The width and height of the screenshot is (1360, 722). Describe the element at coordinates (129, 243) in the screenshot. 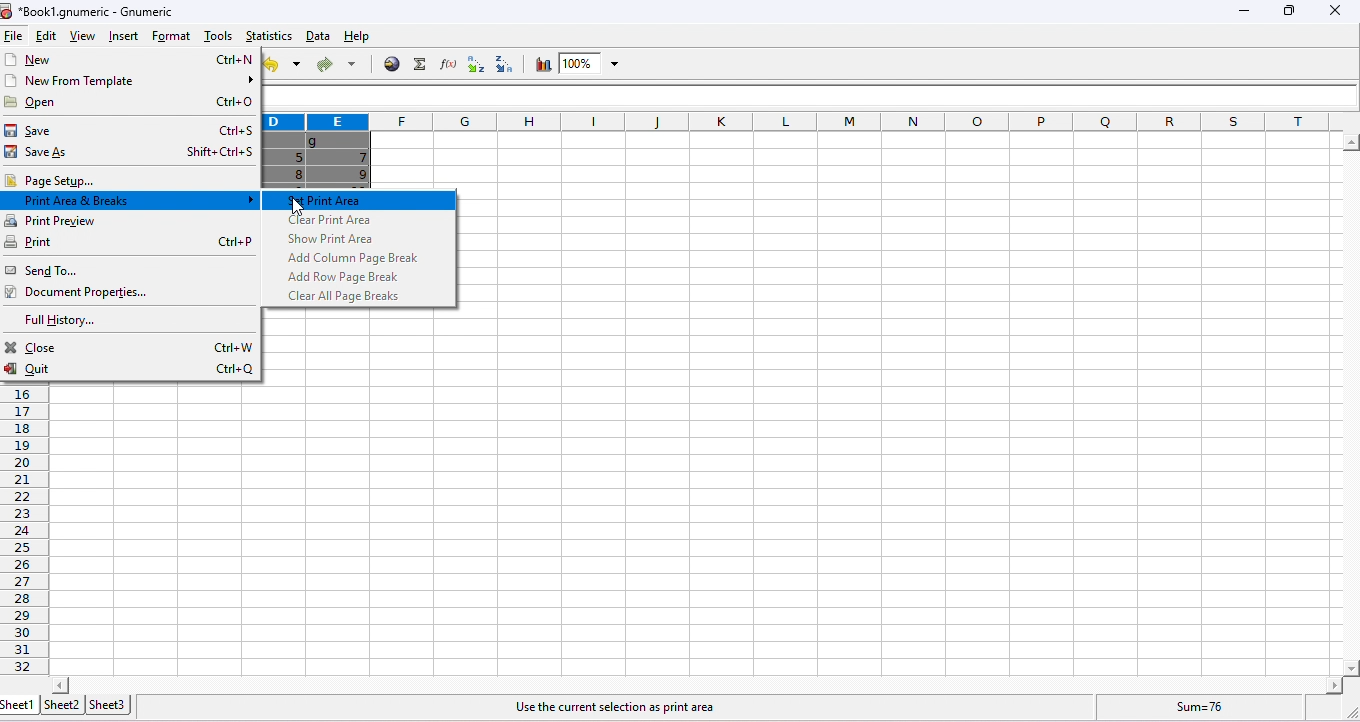

I see `print ` at that location.